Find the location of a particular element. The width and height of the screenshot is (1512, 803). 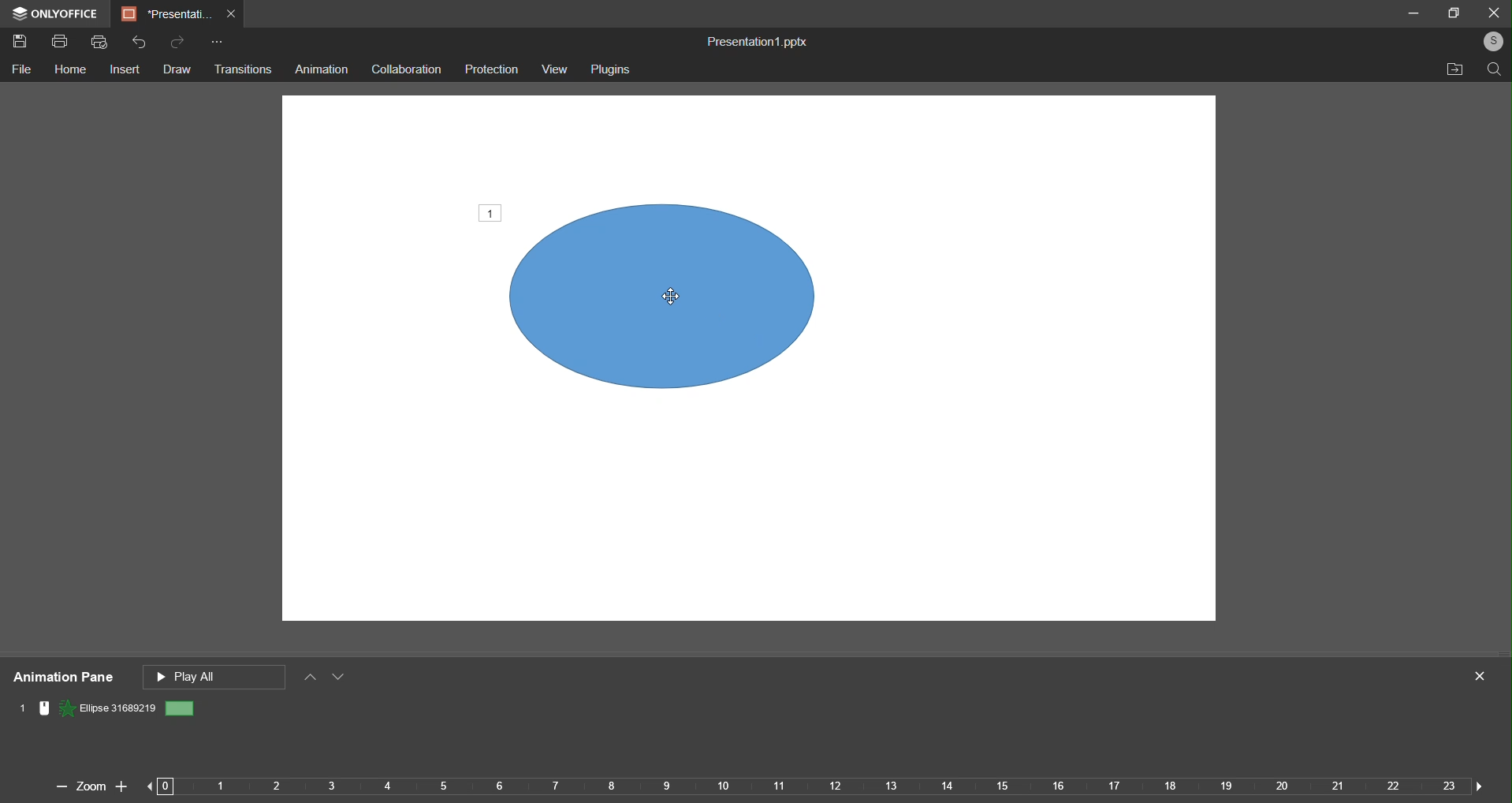

Presentation1.pptx is located at coordinates (753, 39).